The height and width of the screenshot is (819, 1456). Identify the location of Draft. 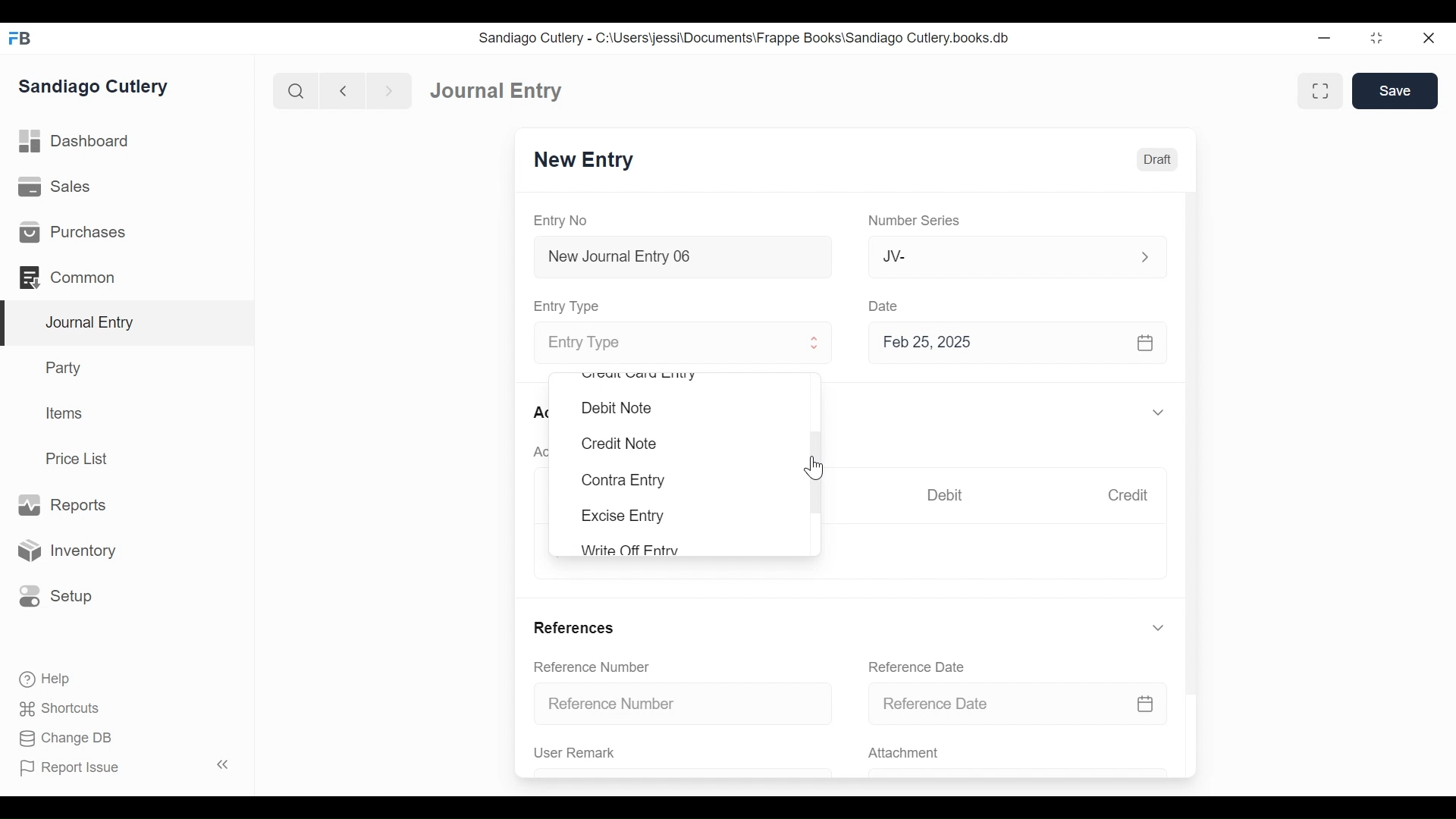
(1157, 160).